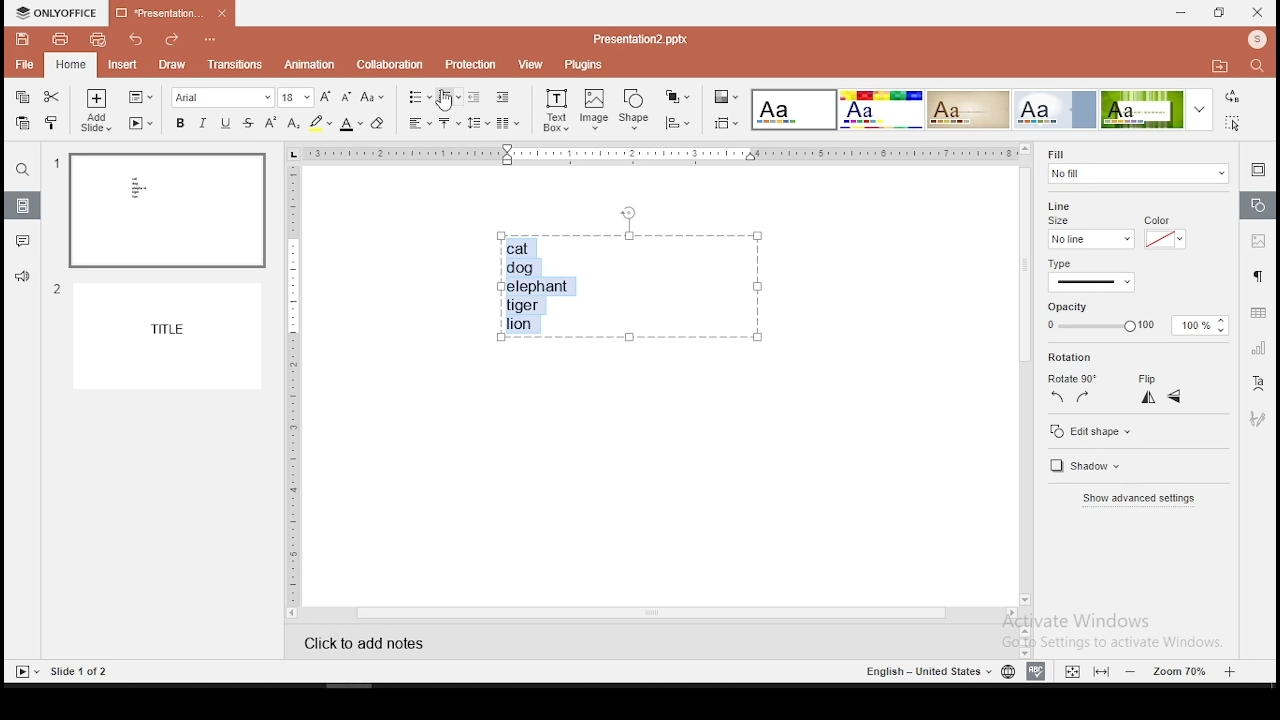 The height and width of the screenshot is (720, 1280). What do you see at coordinates (1259, 13) in the screenshot?
I see `close window` at bounding box center [1259, 13].